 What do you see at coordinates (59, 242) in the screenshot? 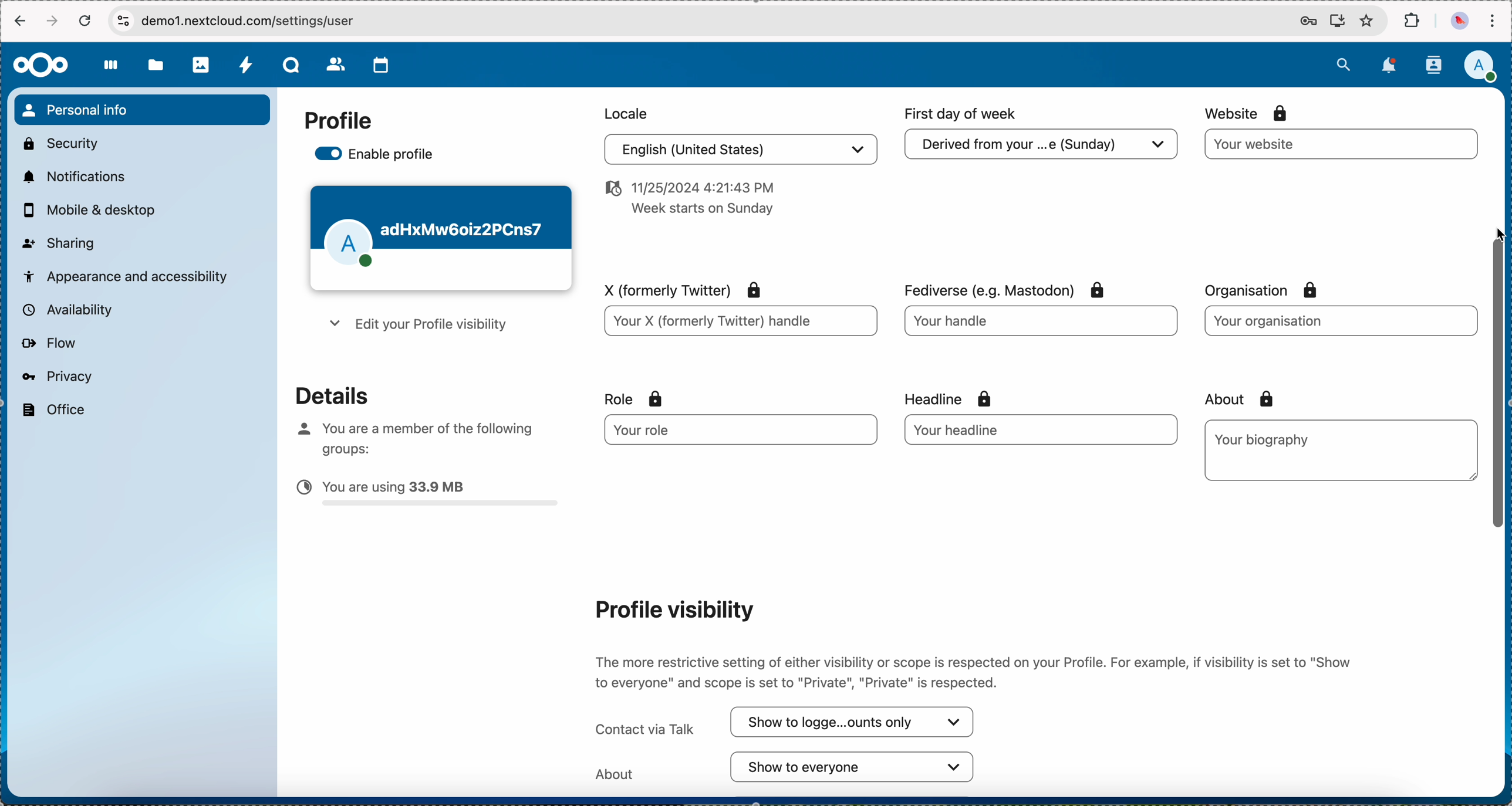
I see `sharing` at bounding box center [59, 242].